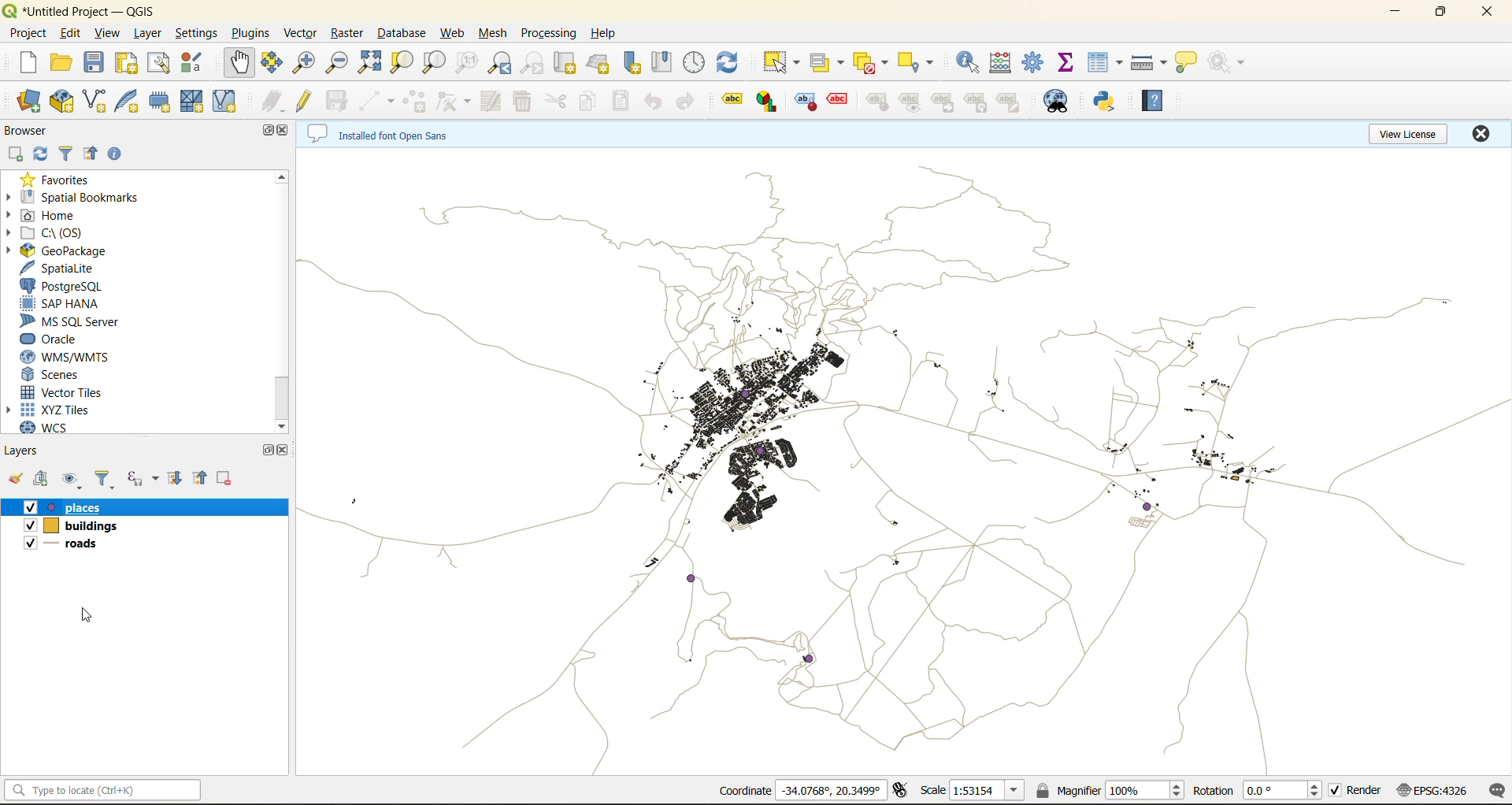  Describe the element at coordinates (622, 103) in the screenshot. I see `paste` at that location.